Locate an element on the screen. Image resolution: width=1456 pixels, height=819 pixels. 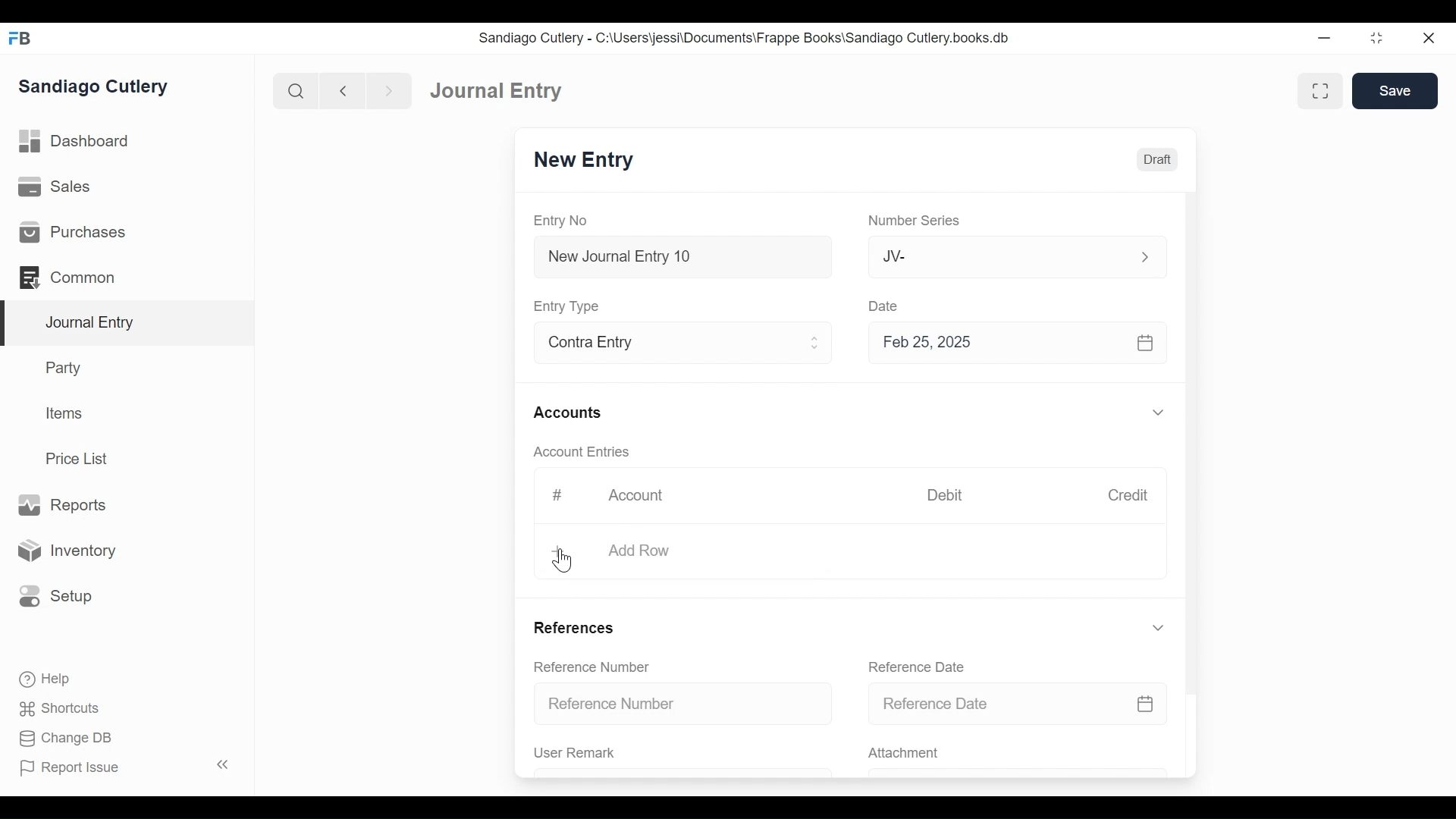
Restore is located at coordinates (1376, 39).